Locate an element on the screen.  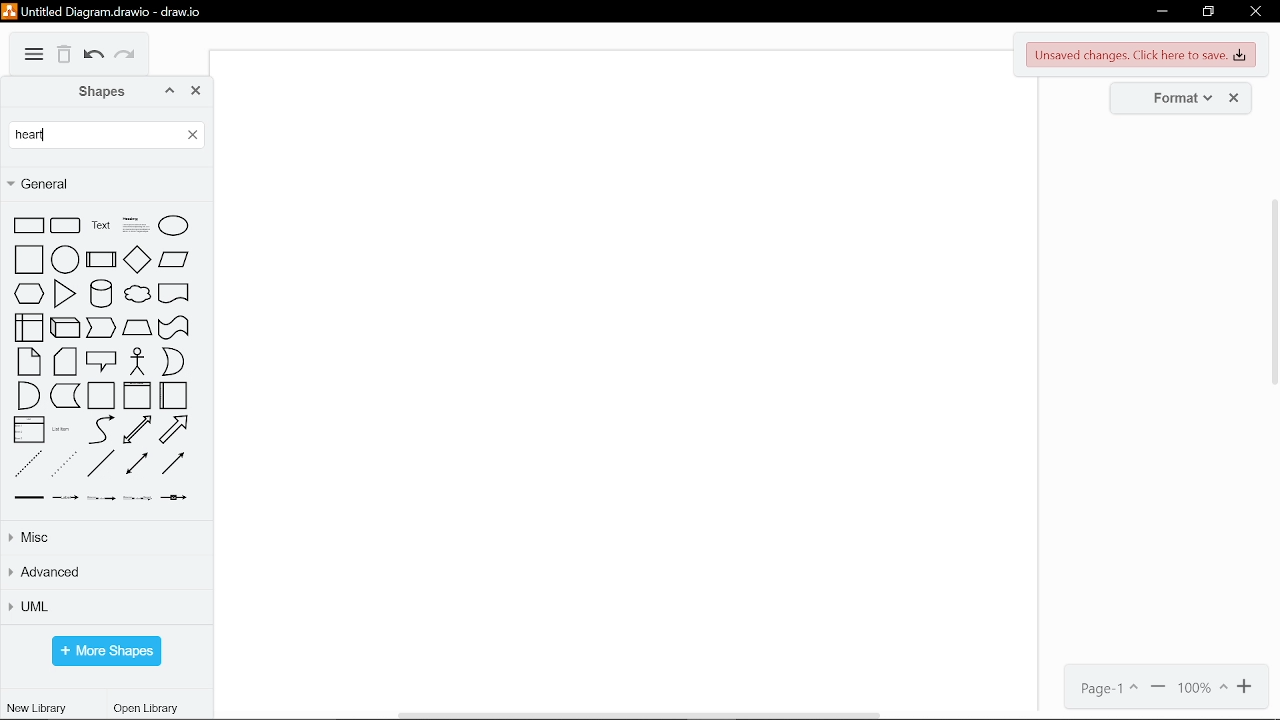
UML is located at coordinates (105, 607).